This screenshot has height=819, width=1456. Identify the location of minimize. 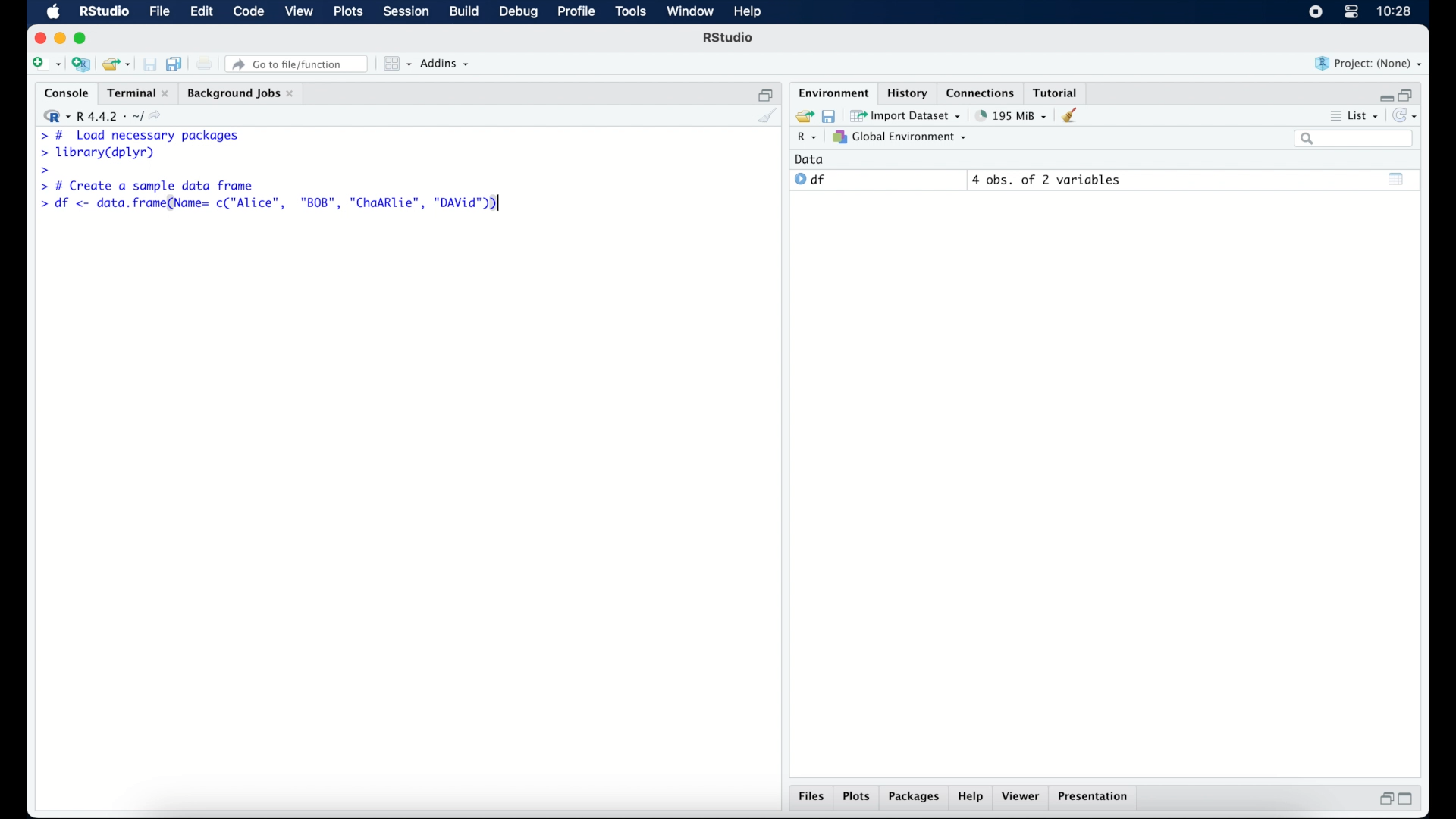
(1384, 94).